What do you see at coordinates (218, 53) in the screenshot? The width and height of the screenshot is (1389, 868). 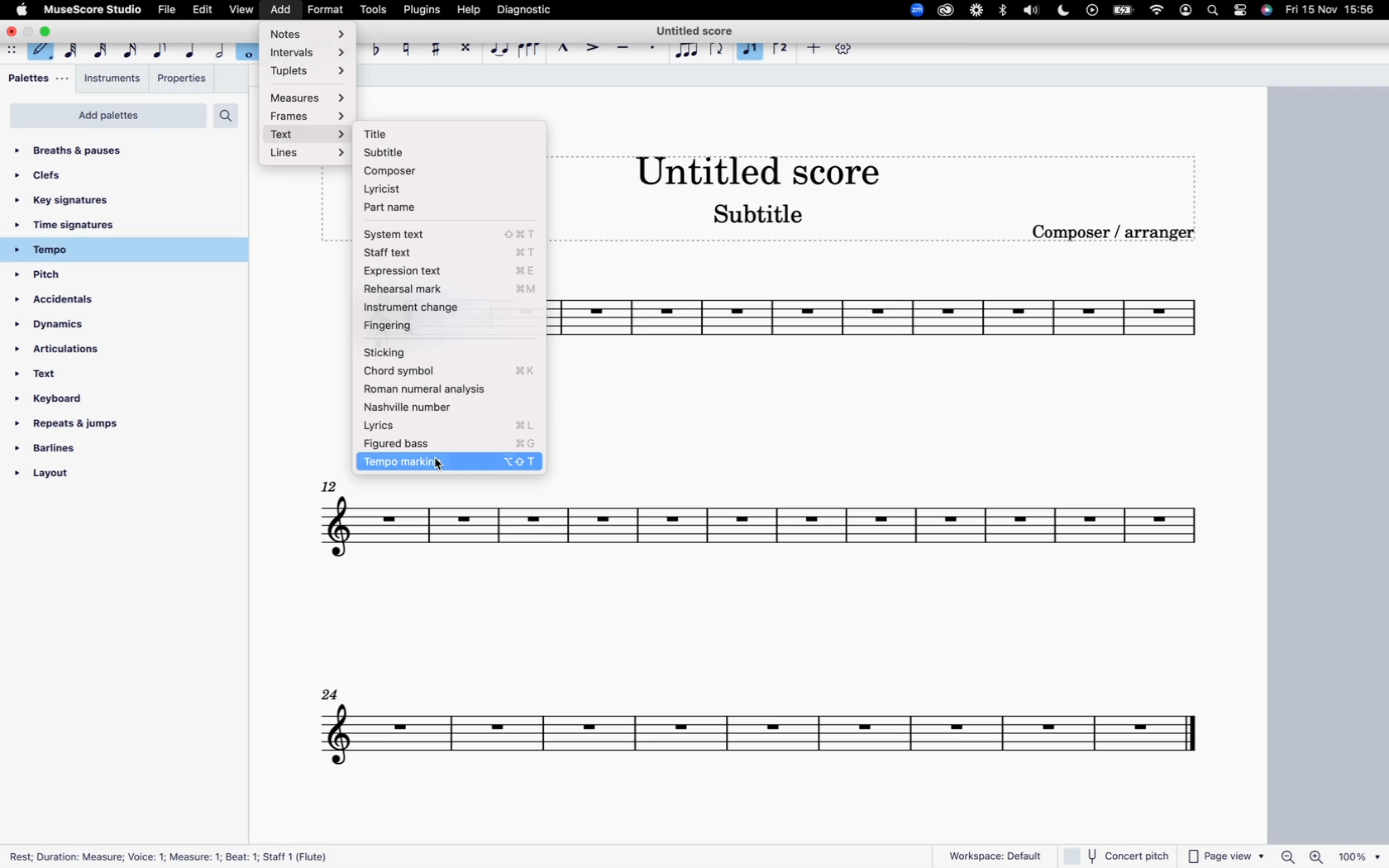 I see `half note` at bounding box center [218, 53].